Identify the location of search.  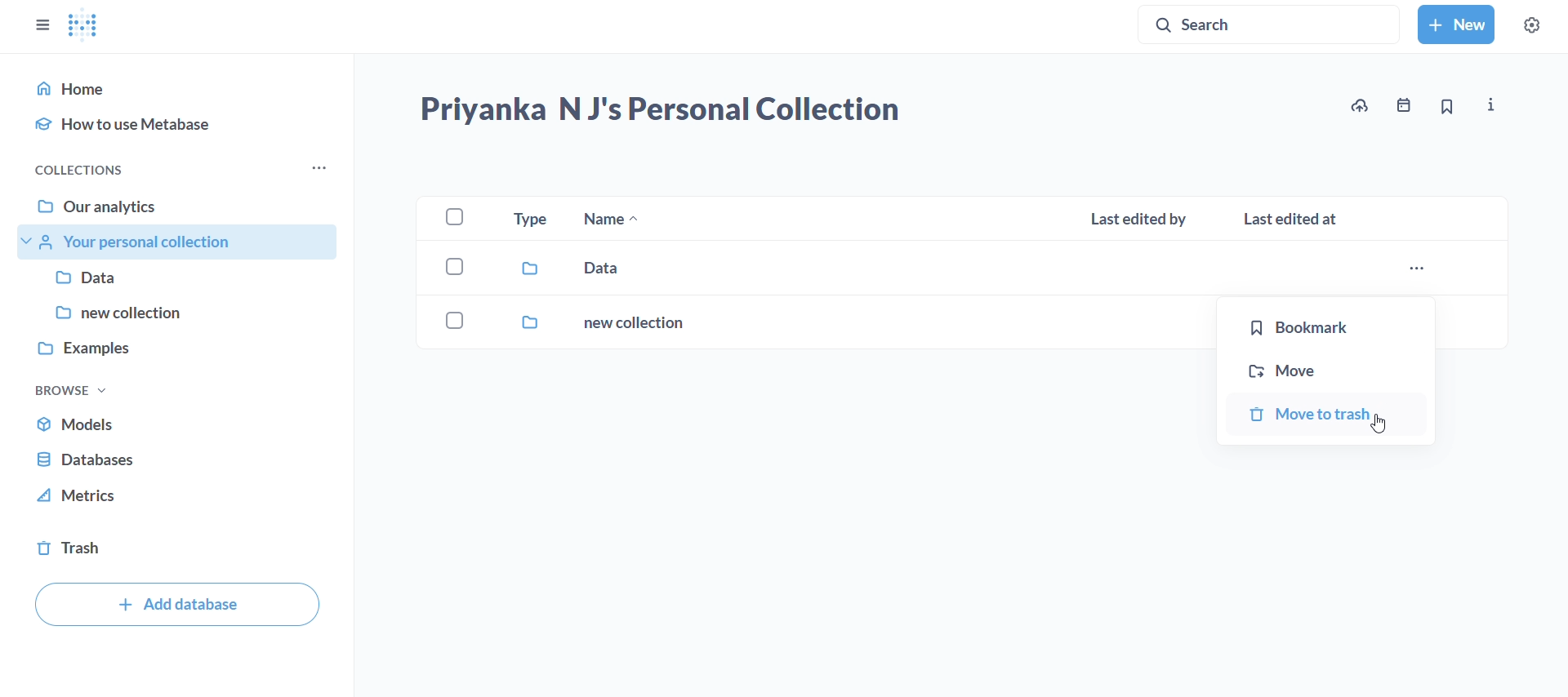
(1274, 24).